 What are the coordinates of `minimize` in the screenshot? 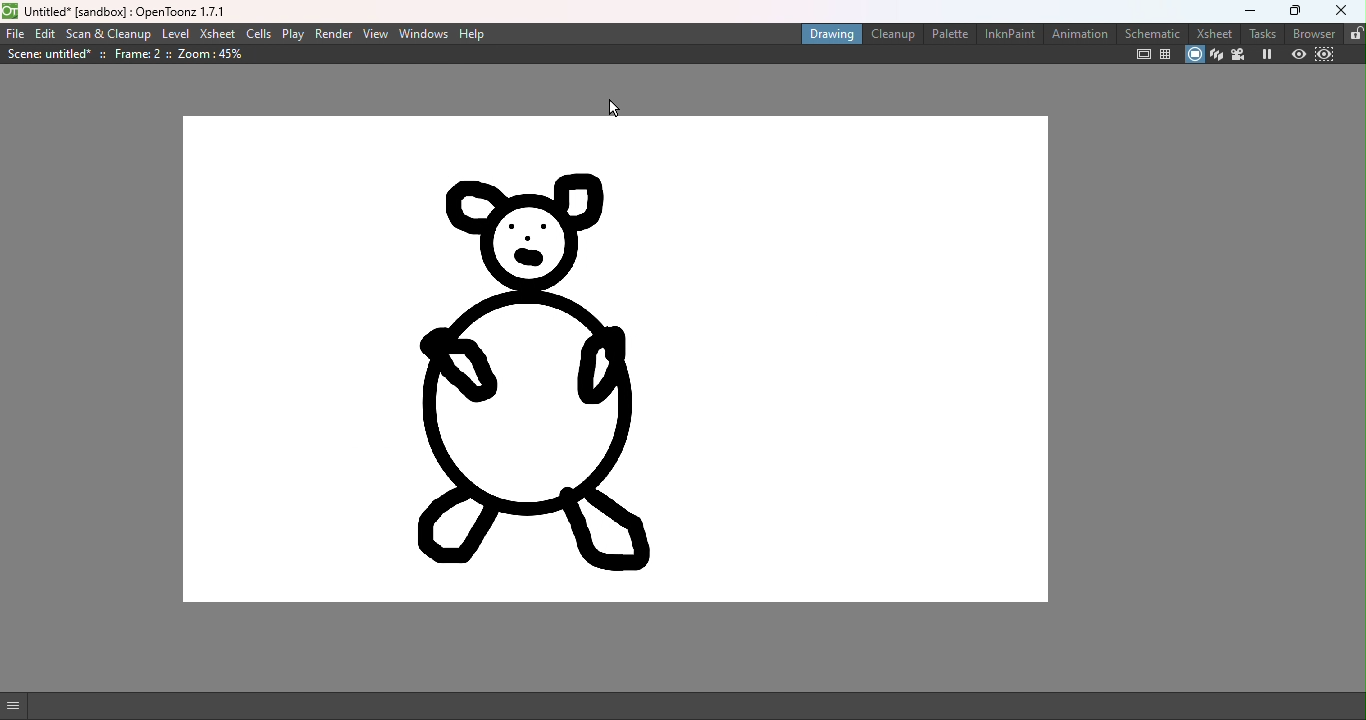 It's located at (1248, 12).